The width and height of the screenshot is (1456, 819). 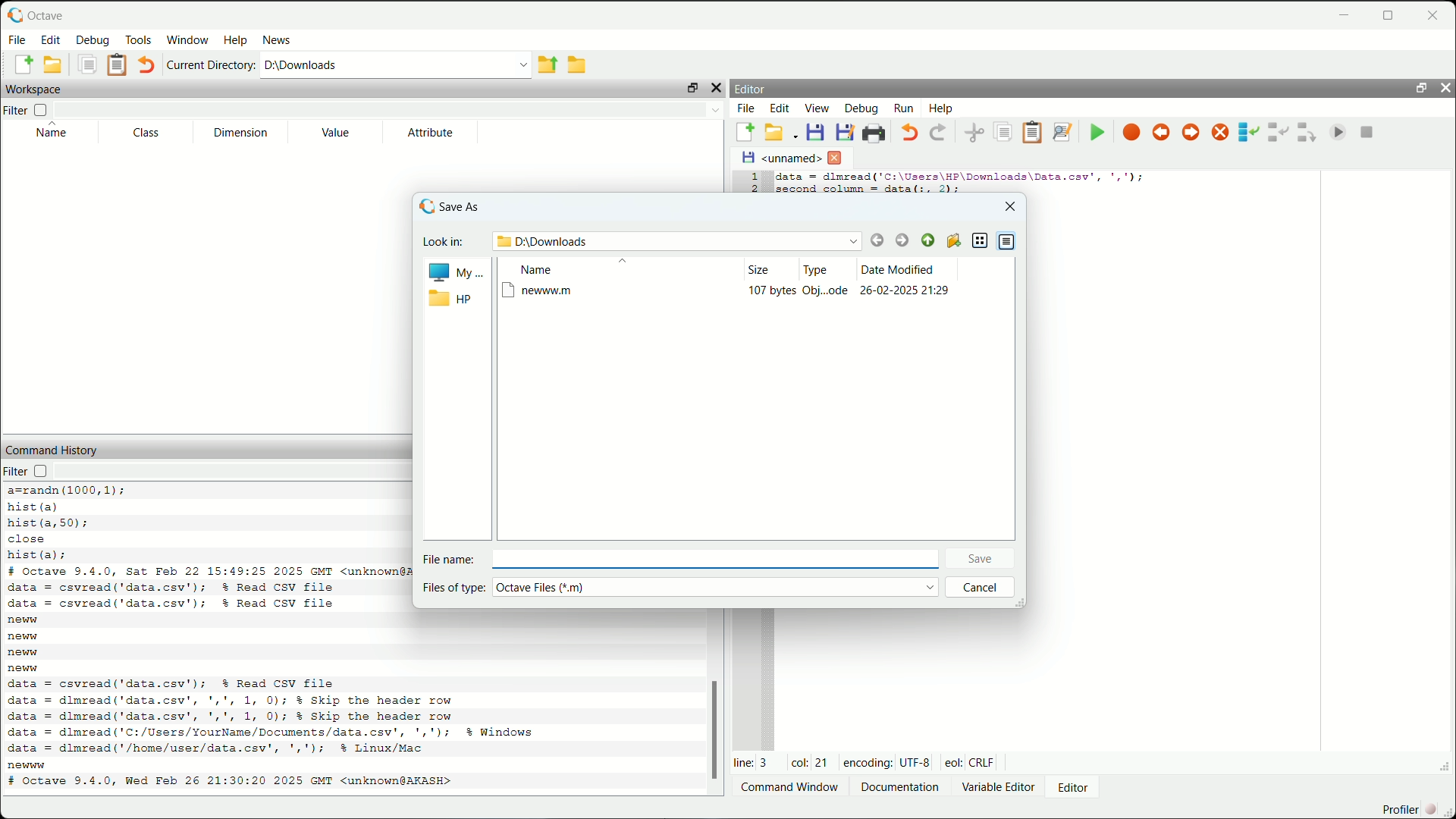 I want to click on maximize, so click(x=1394, y=11).